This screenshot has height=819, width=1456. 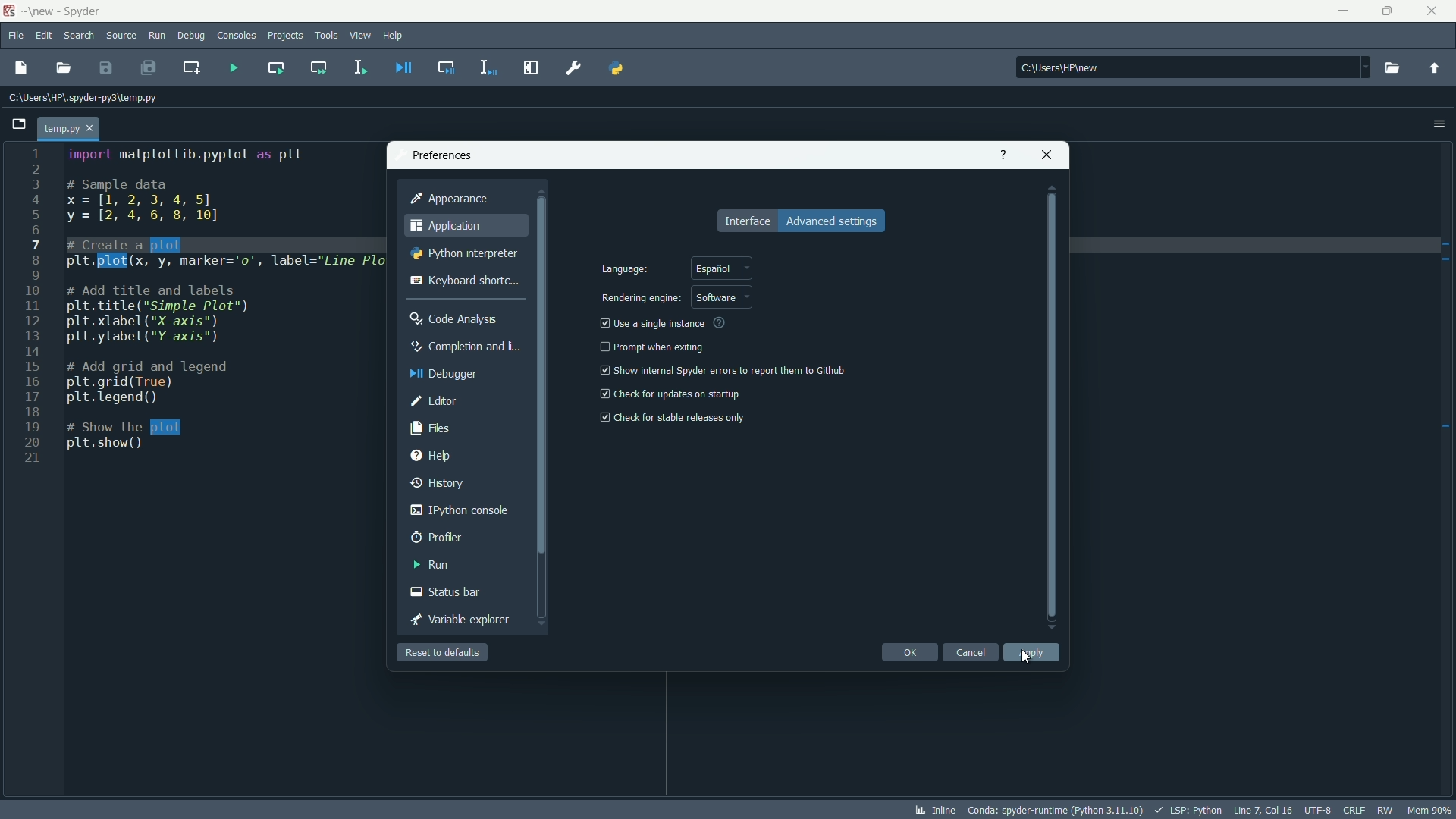 What do you see at coordinates (745, 221) in the screenshot?
I see `interface` at bounding box center [745, 221].